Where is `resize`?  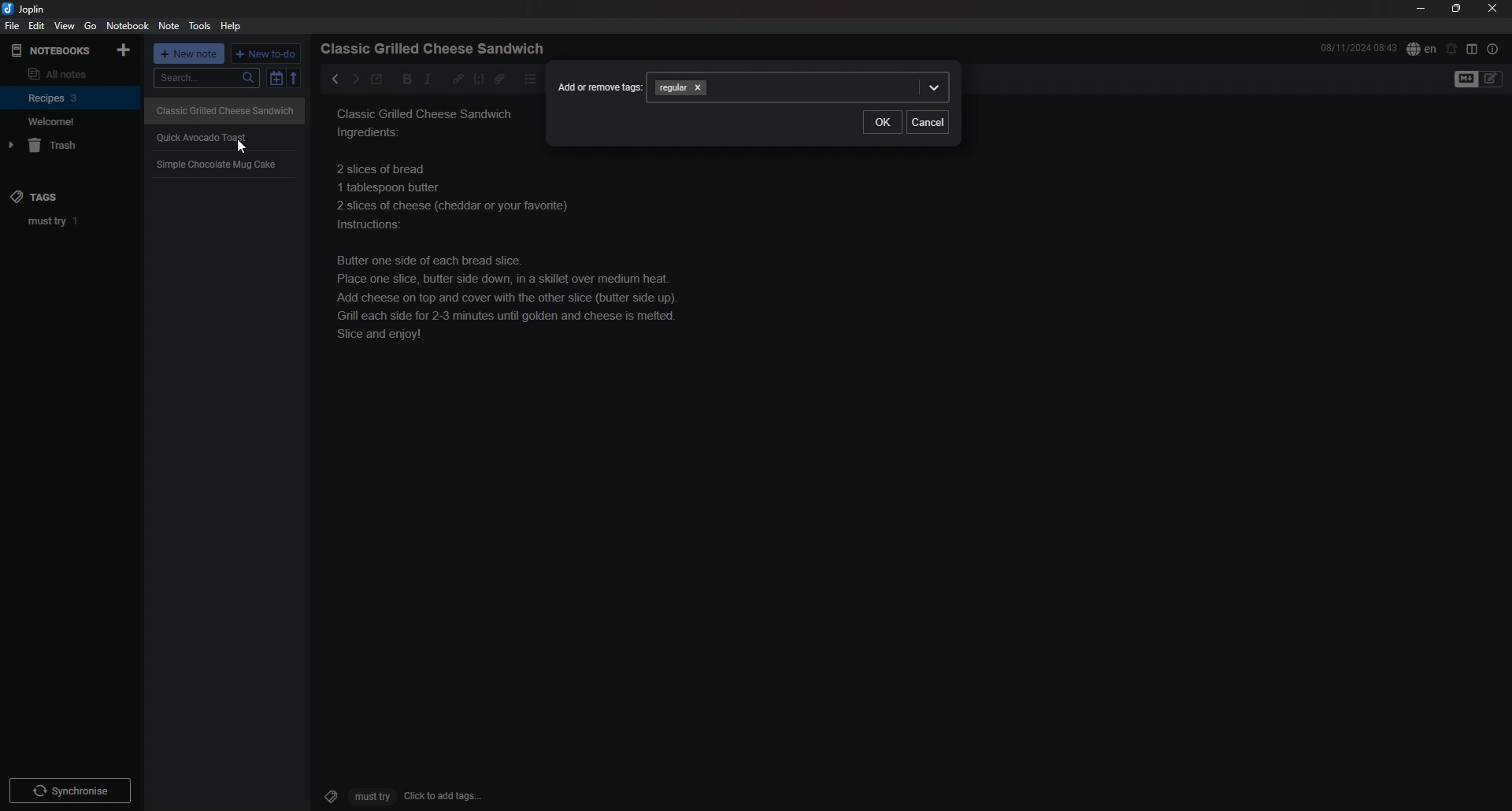 resize is located at coordinates (1456, 9).